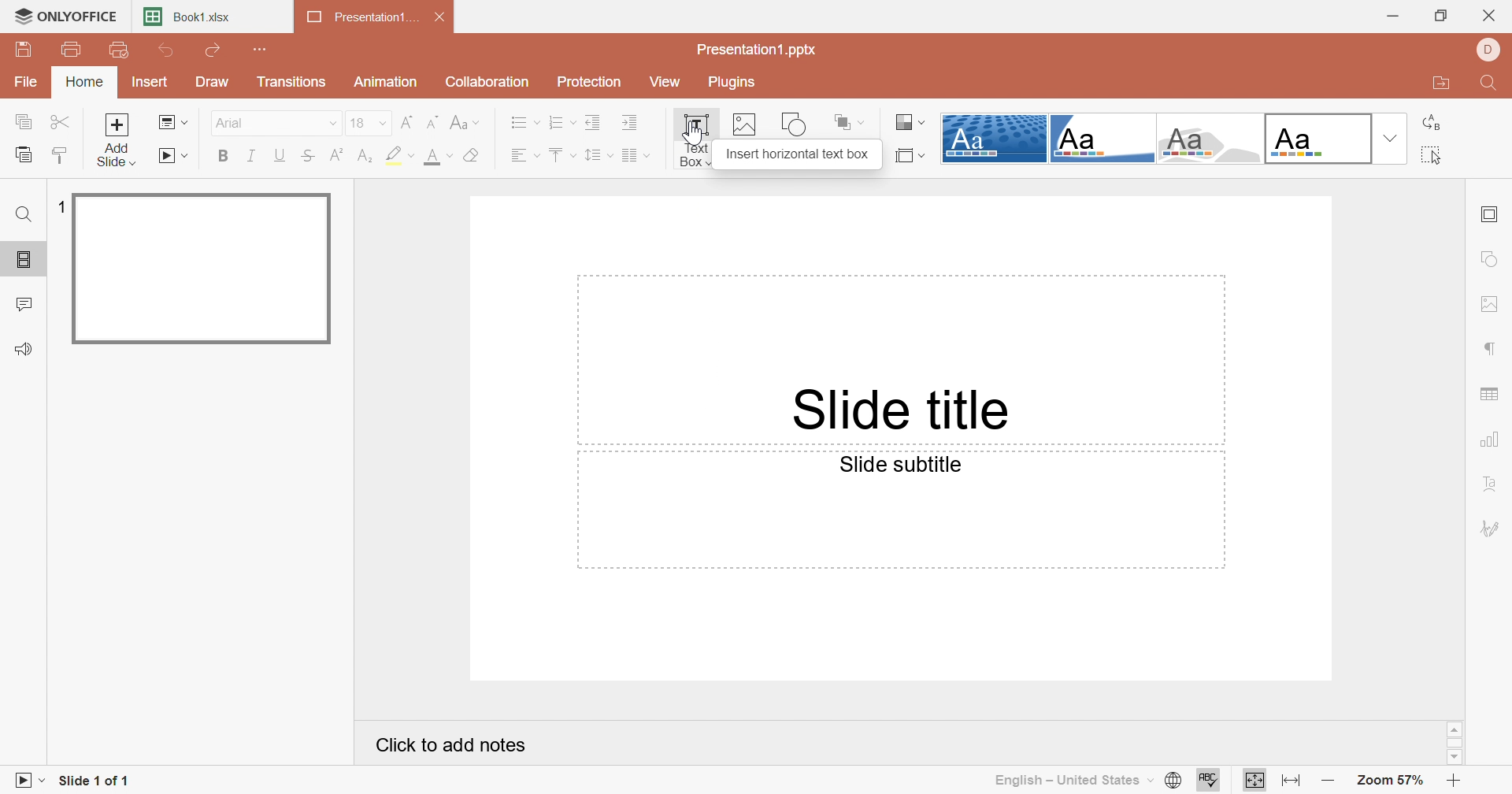 The image size is (1512, 794). Describe the element at coordinates (262, 50) in the screenshot. I see `Customize Quick Access Toolbar` at that location.